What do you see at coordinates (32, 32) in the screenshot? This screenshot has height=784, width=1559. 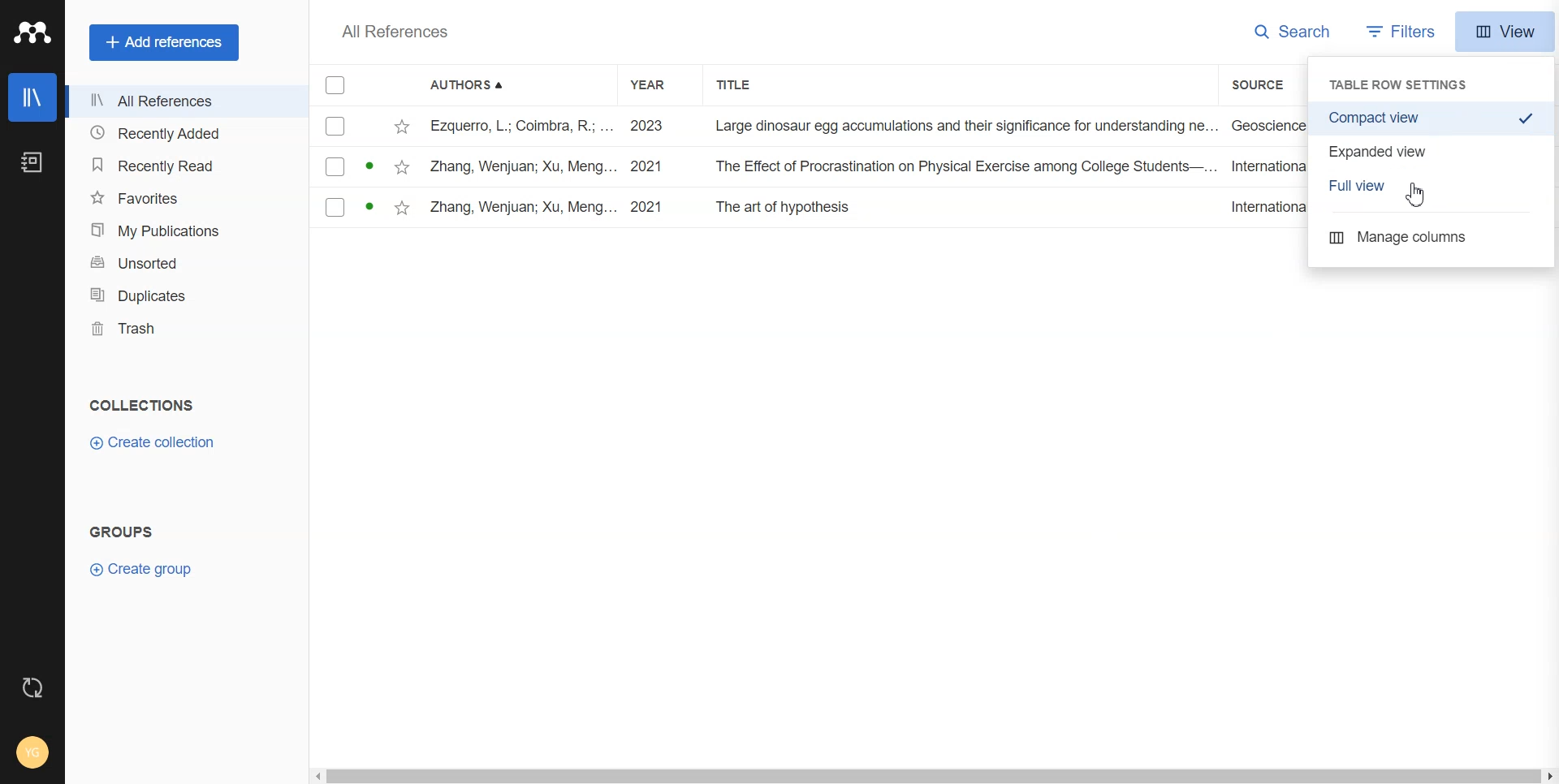 I see `Logo` at bounding box center [32, 32].